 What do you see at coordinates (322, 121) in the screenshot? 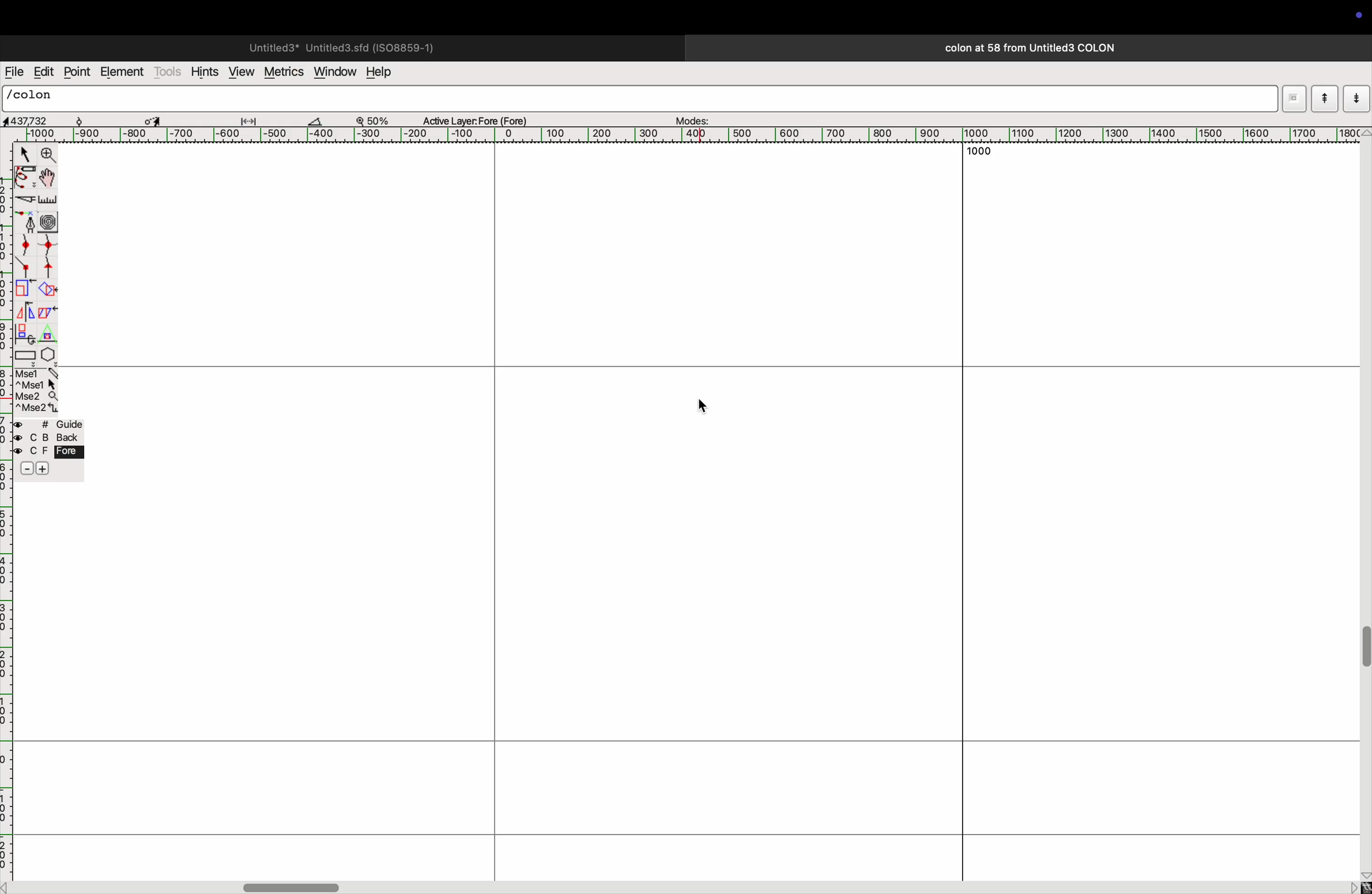
I see `cut` at bounding box center [322, 121].